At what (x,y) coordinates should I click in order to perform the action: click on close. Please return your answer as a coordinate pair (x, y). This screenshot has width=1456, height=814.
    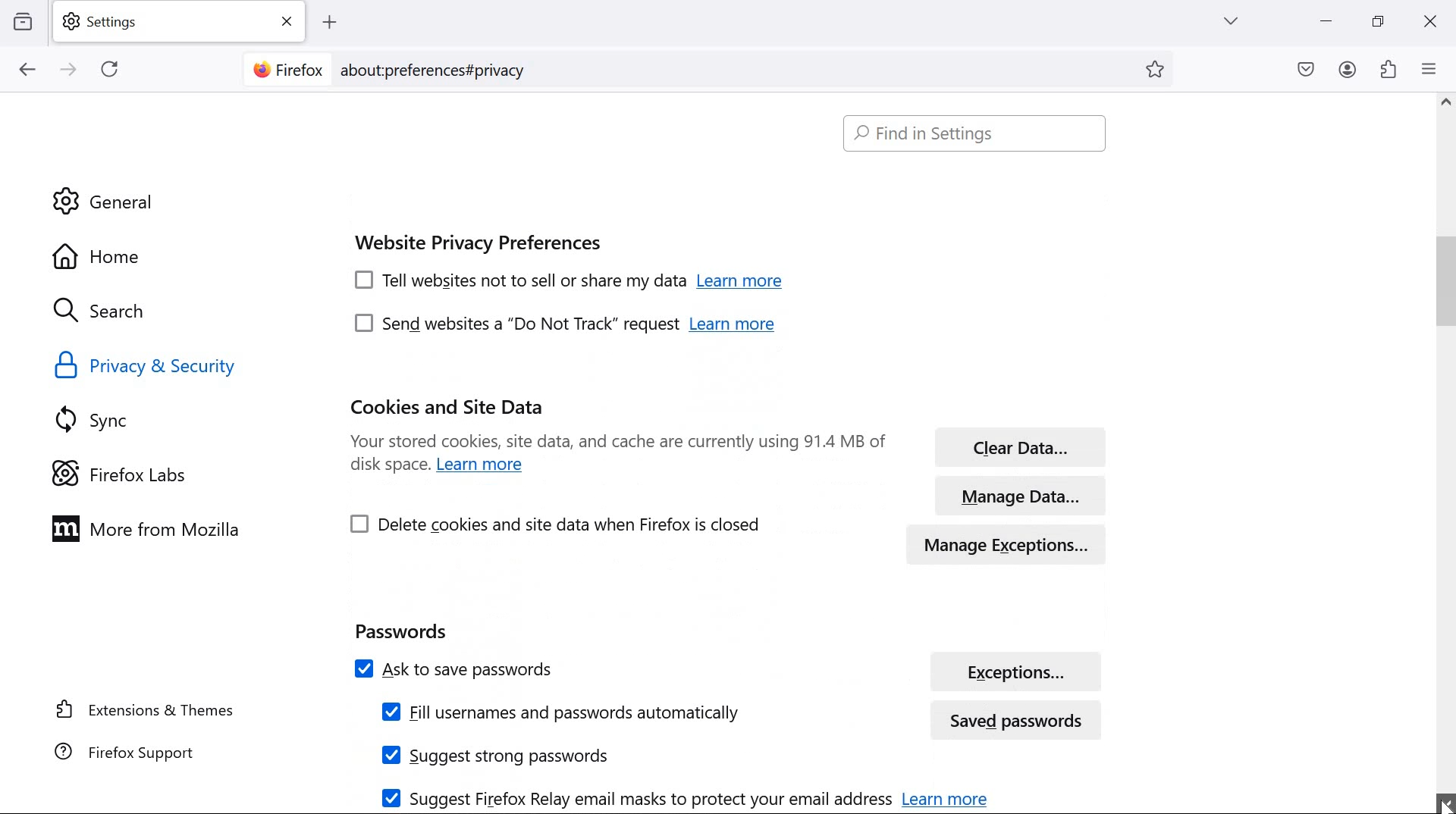
    Looking at the image, I should click on (1429, 23).